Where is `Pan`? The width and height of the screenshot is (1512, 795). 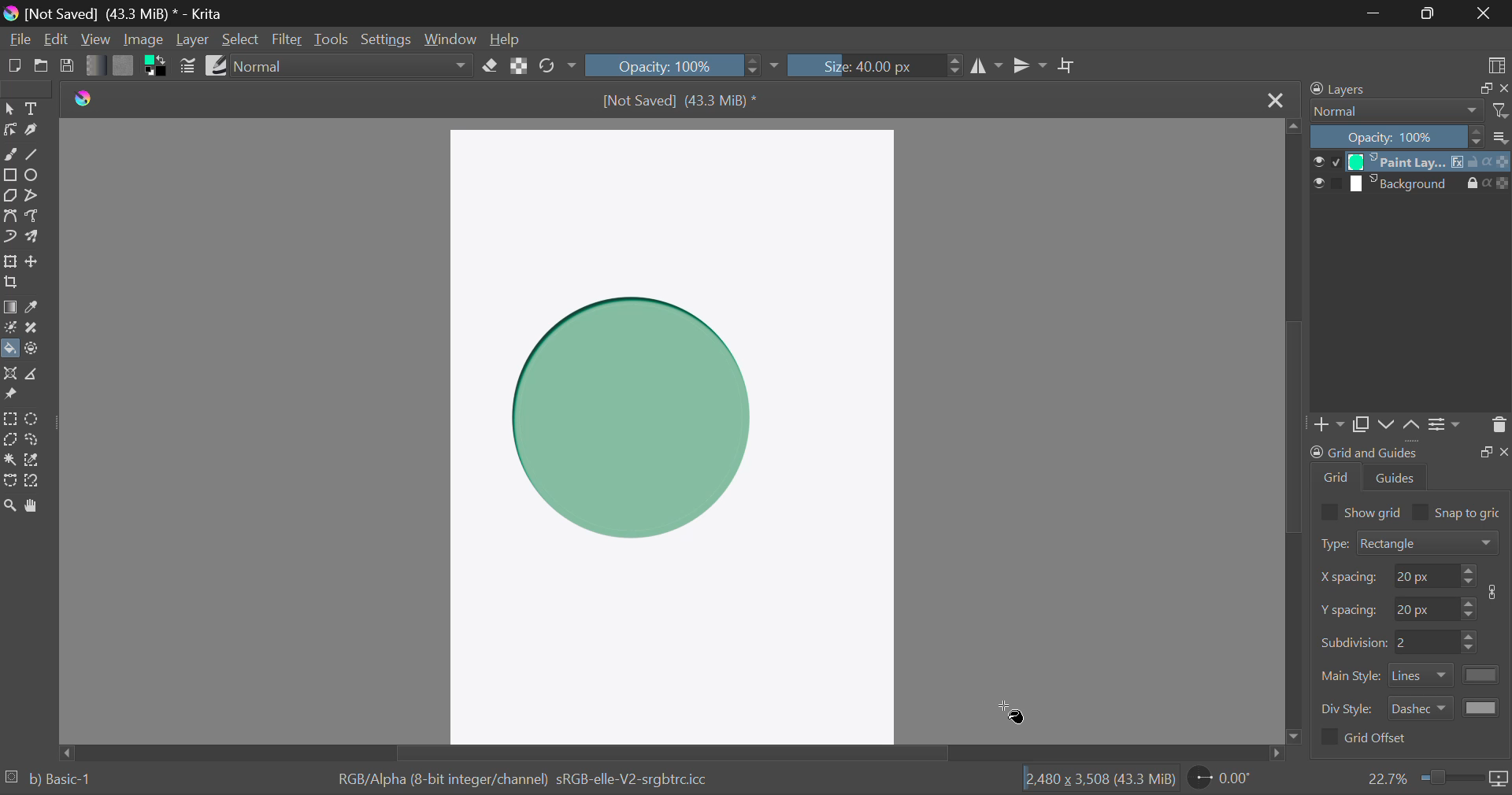
Pan is located at coordinates (33, 506).